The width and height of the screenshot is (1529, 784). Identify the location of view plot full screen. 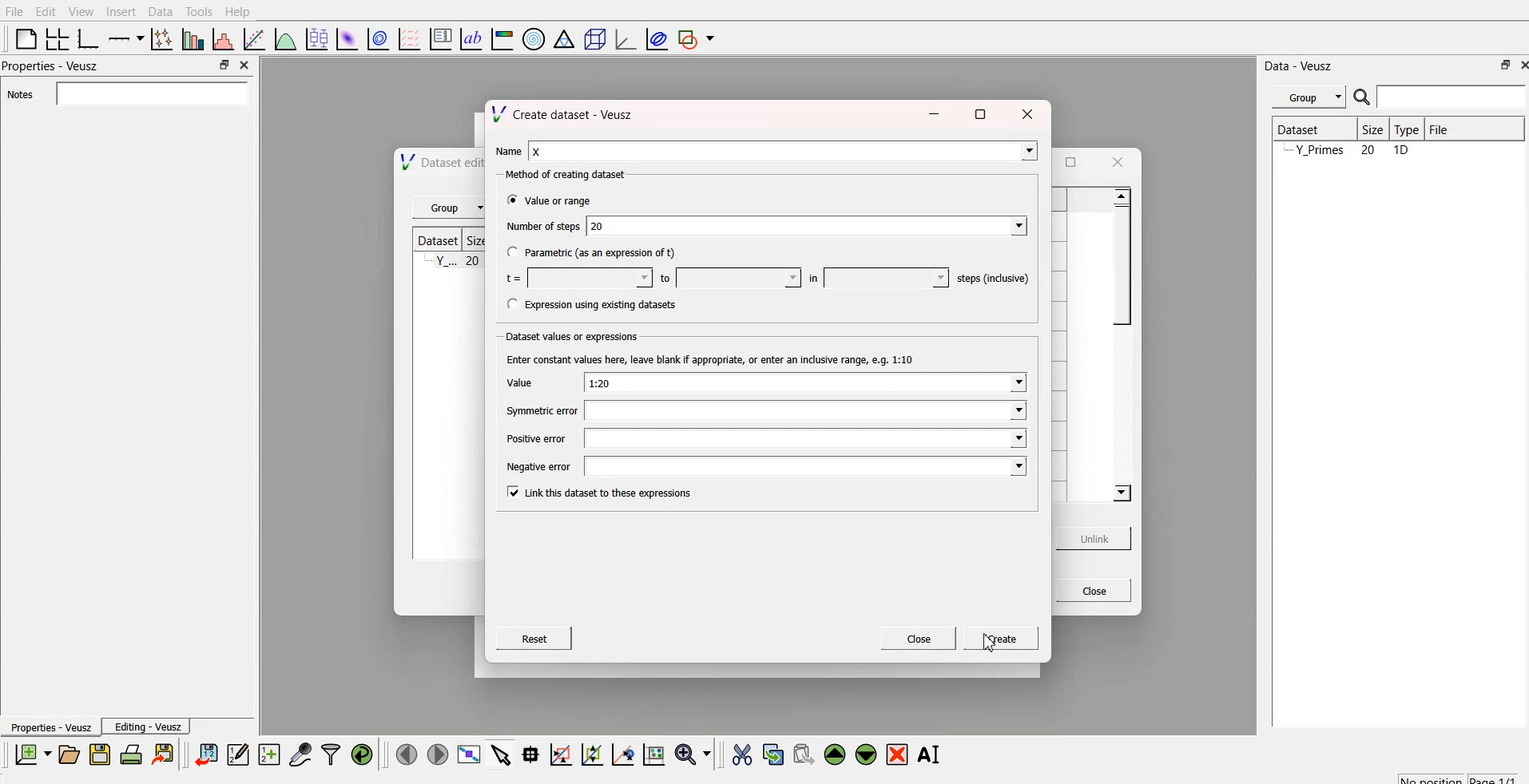
(470, 754).